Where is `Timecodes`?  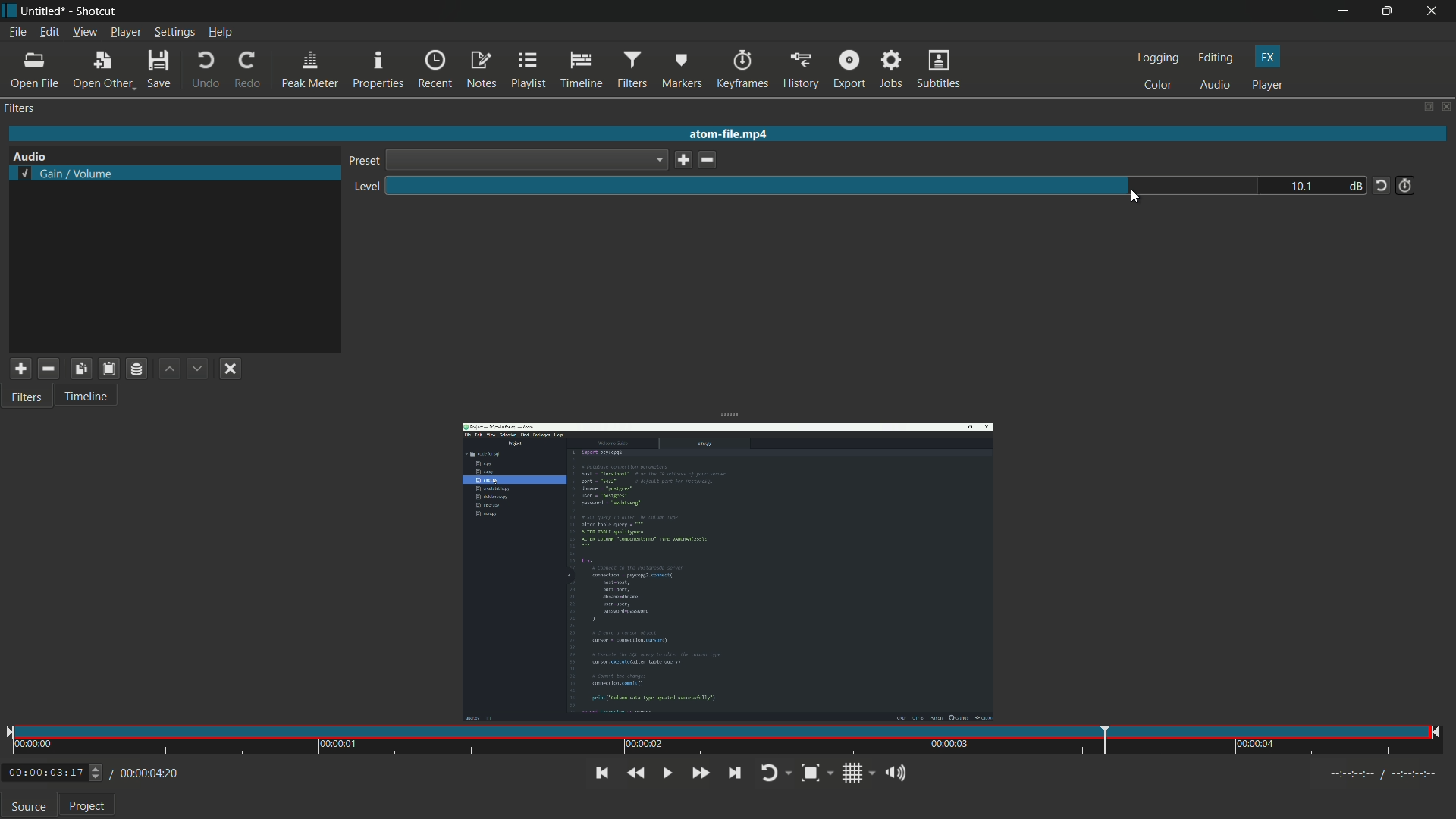
Timecodes is located at coordinates (1385, 777).